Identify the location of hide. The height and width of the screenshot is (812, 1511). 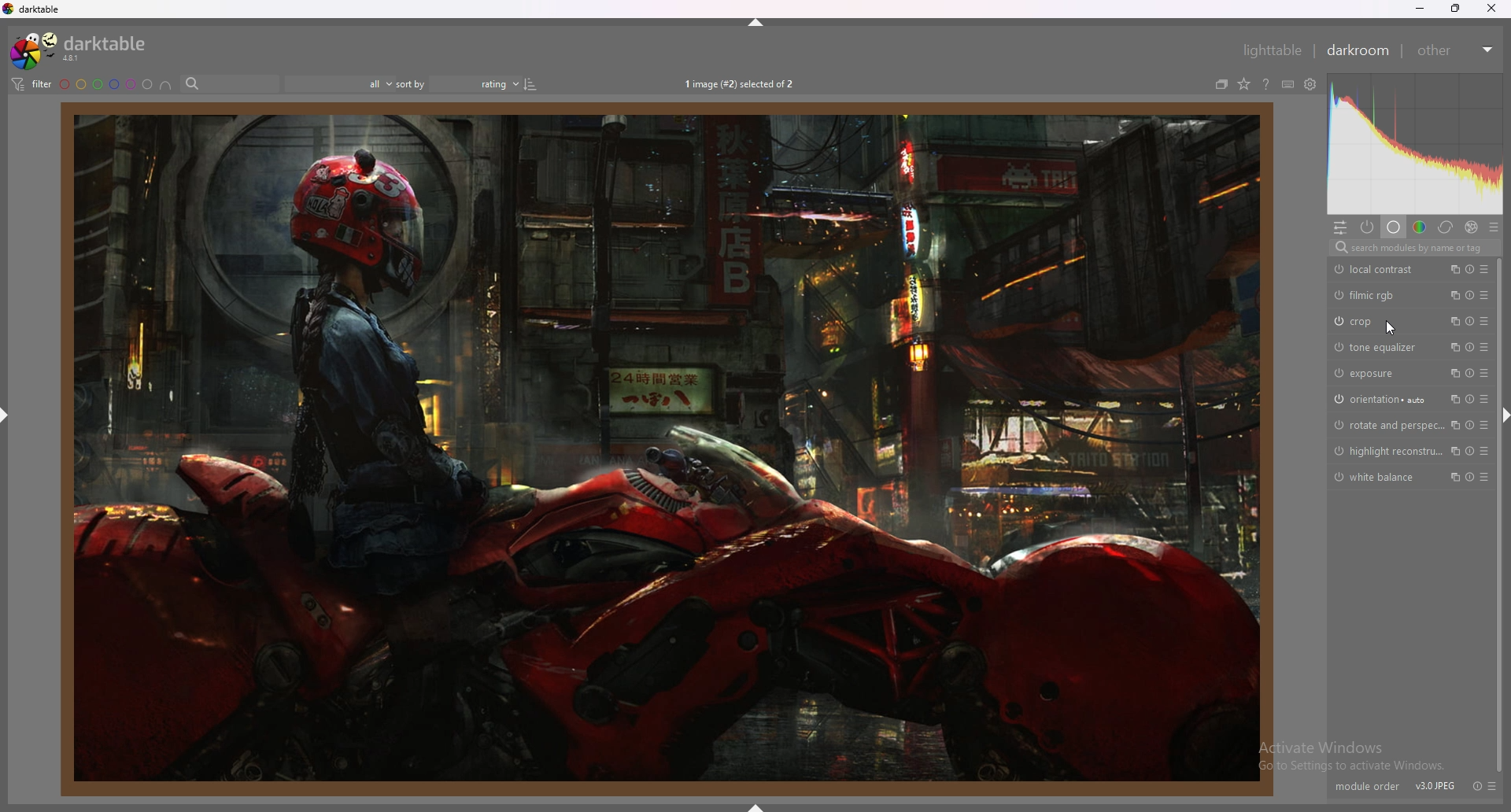
(752, 23).